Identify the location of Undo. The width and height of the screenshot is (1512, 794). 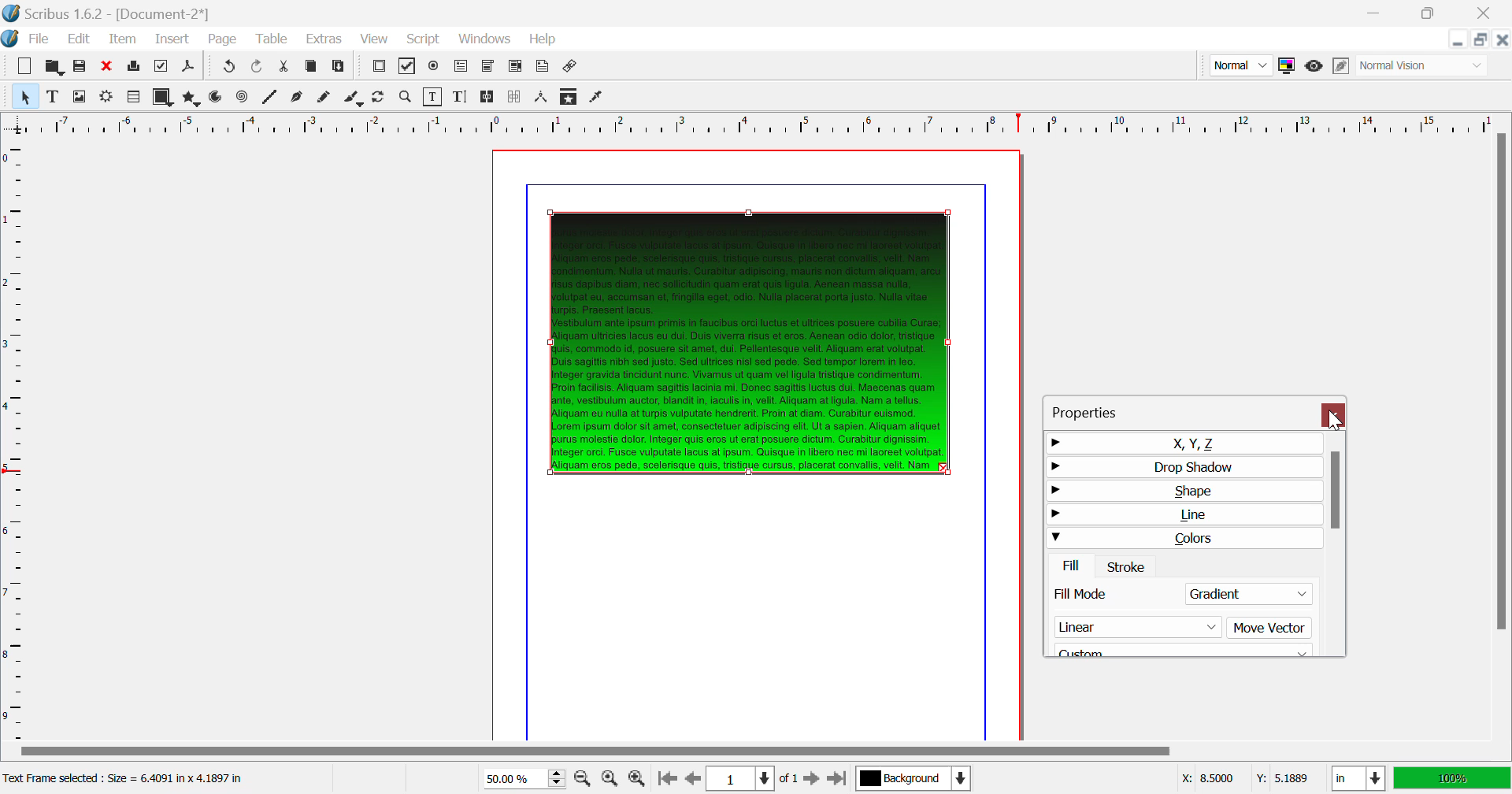
(259, 68).